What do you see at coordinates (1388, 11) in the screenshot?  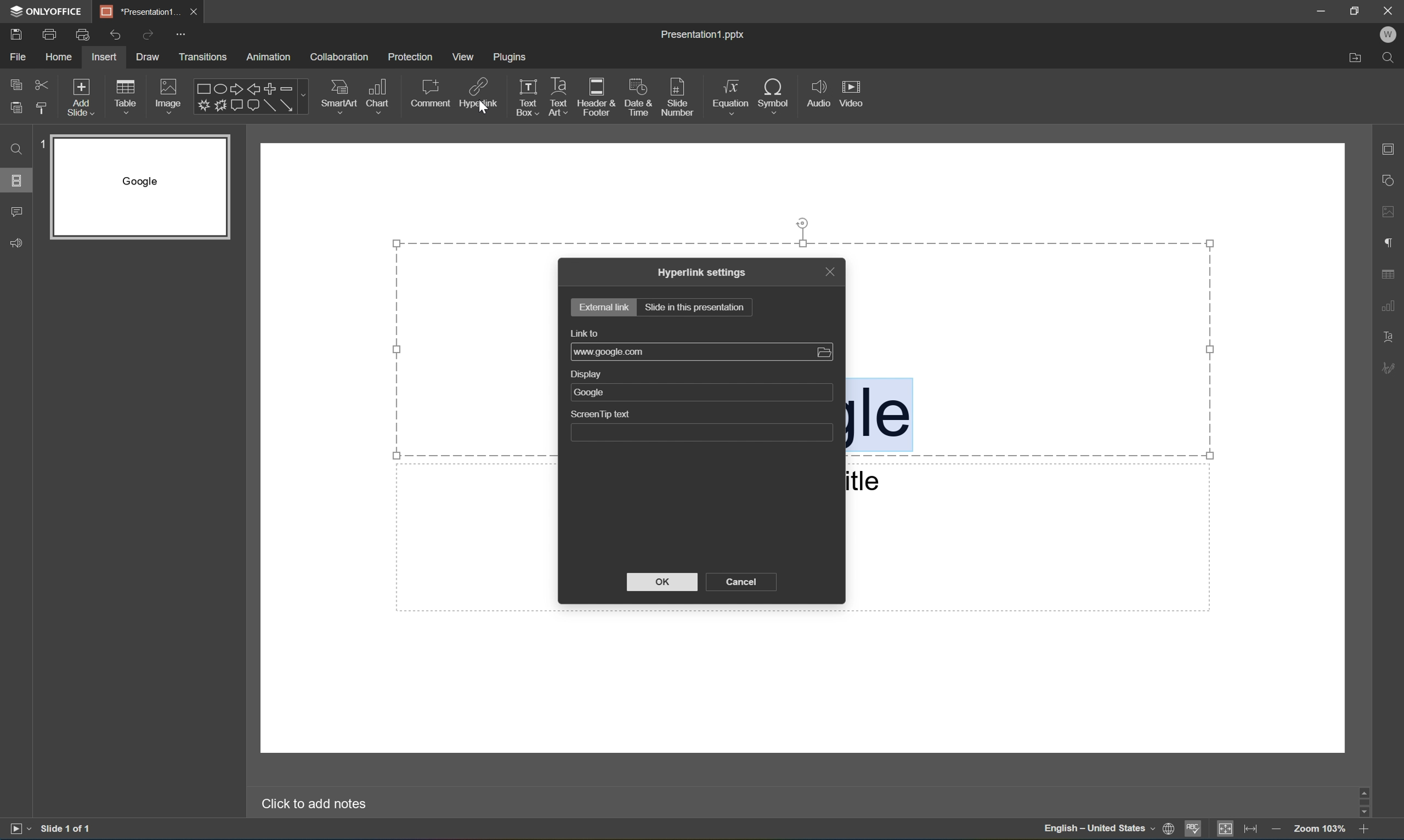 I see `Close` at bounding box center [1388, 11].